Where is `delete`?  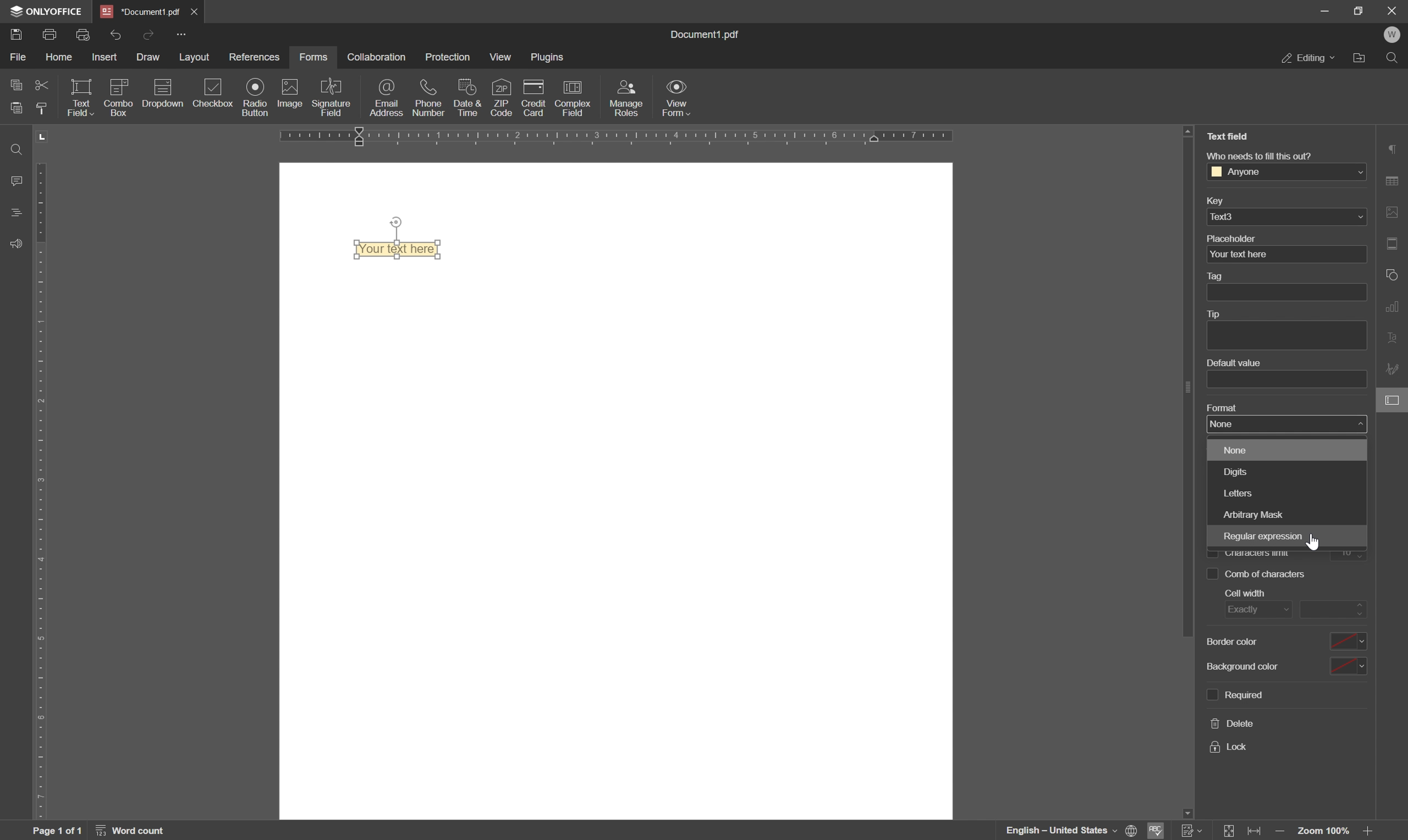 delete is located at coordinates (1232, 725).